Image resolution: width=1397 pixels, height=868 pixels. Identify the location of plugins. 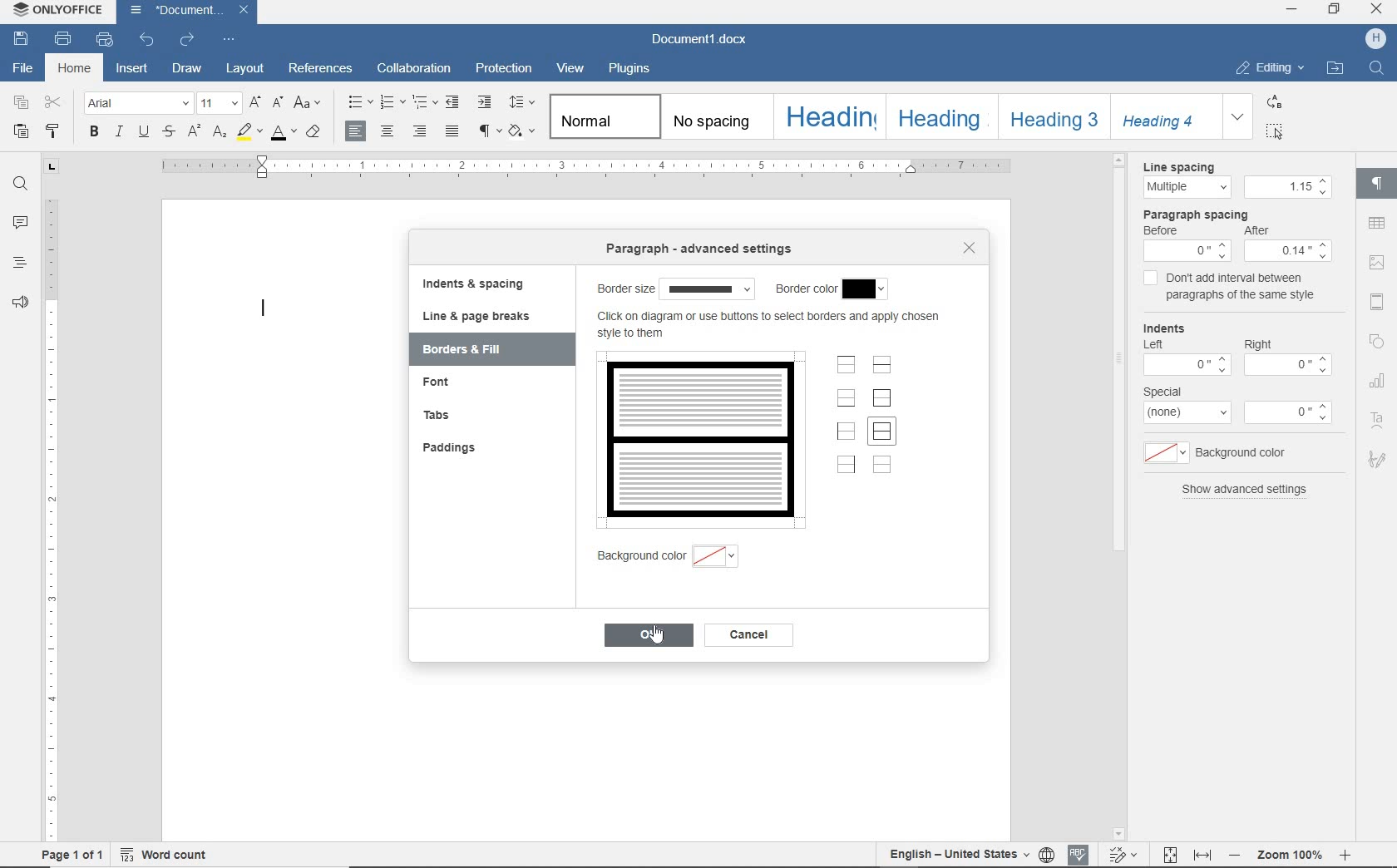
(636, 69).